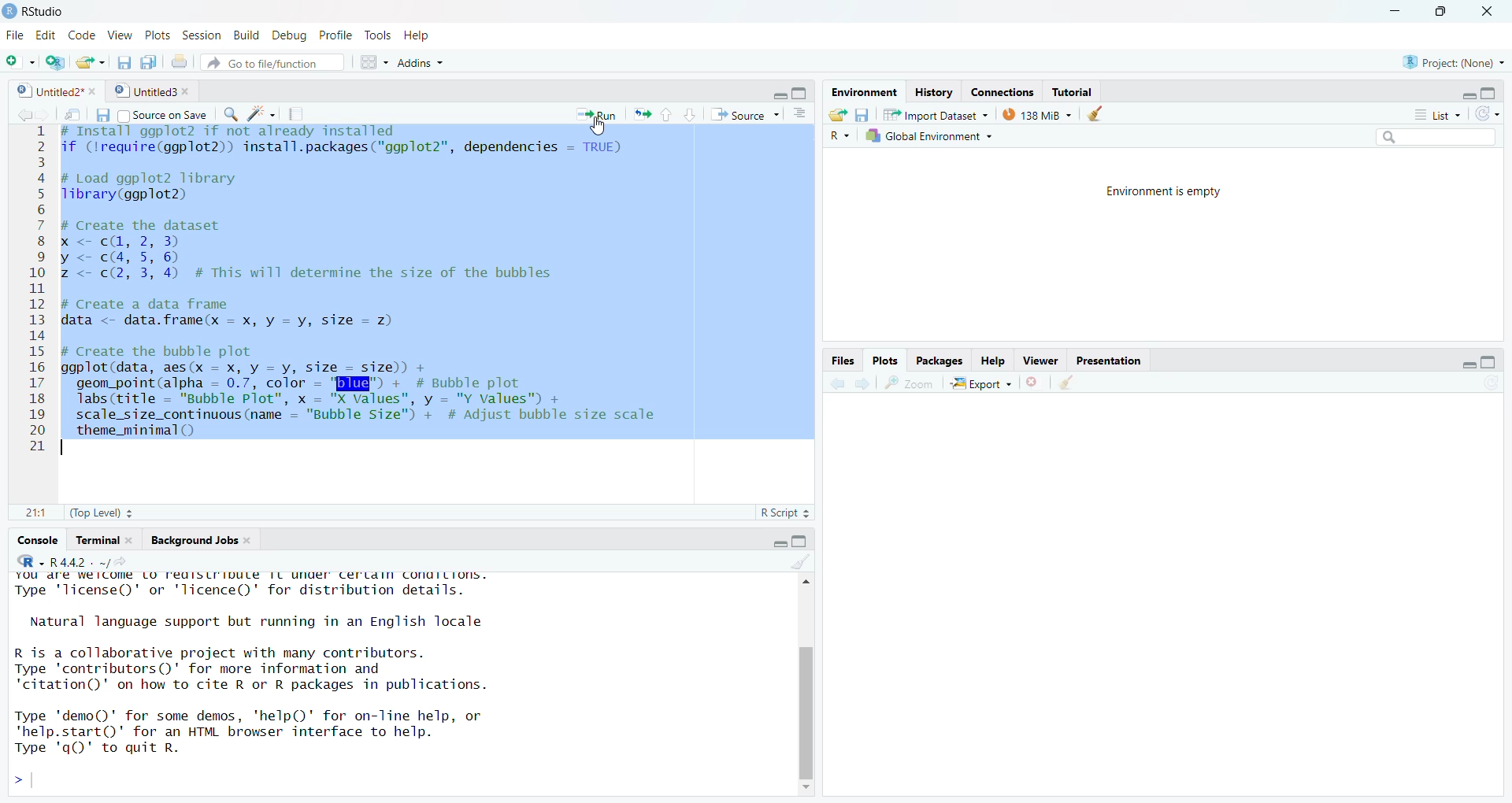 Image resolution: width=1512 pixels, height=803 pixels. I want to click on text cursor, so click(68, 447).